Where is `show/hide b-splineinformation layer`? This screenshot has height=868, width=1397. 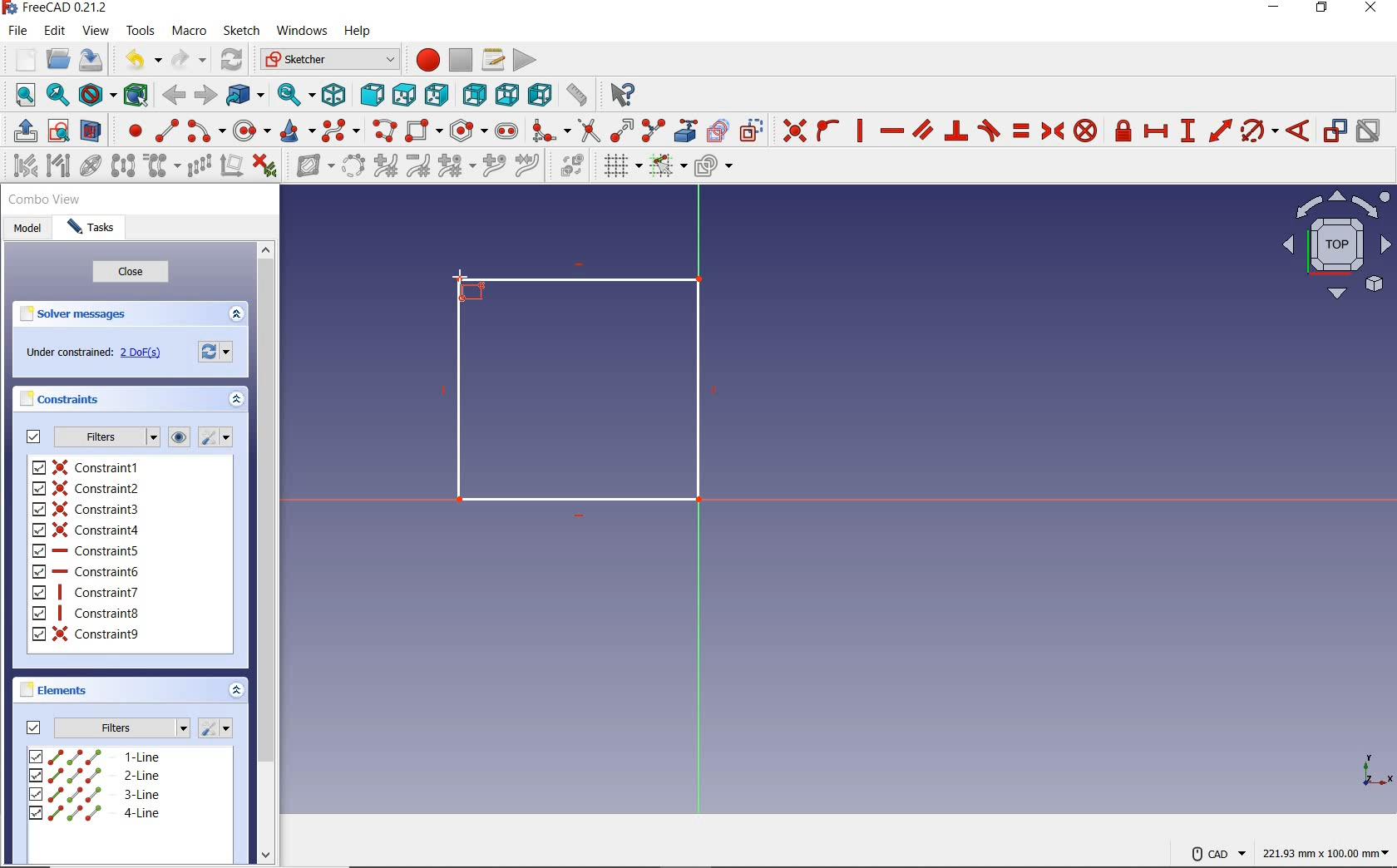 show/hide b-splineinformation layer is located at coordinates (309, 169).